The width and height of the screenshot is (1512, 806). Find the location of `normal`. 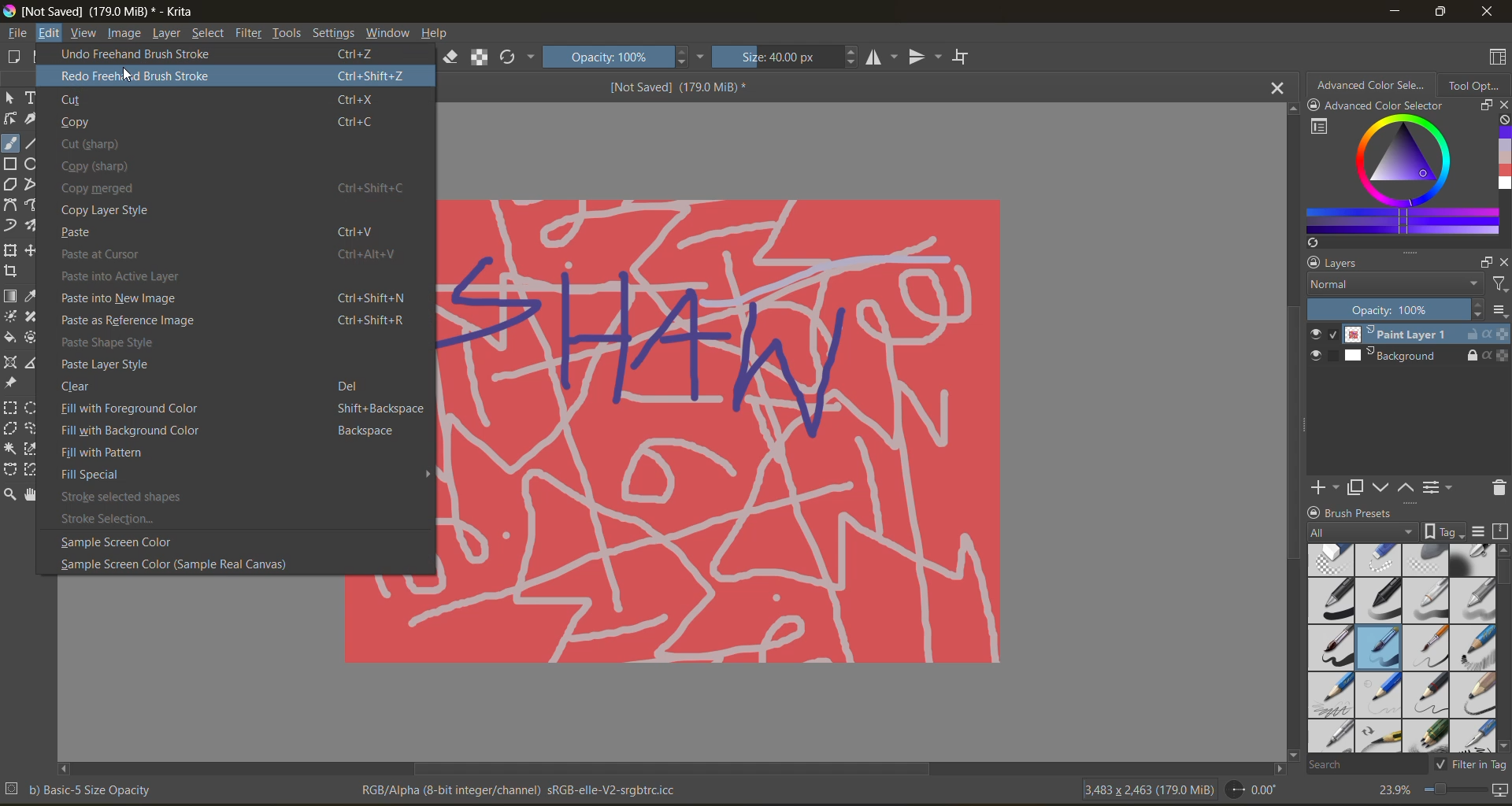

normal is located at coordinates (1392, 285).